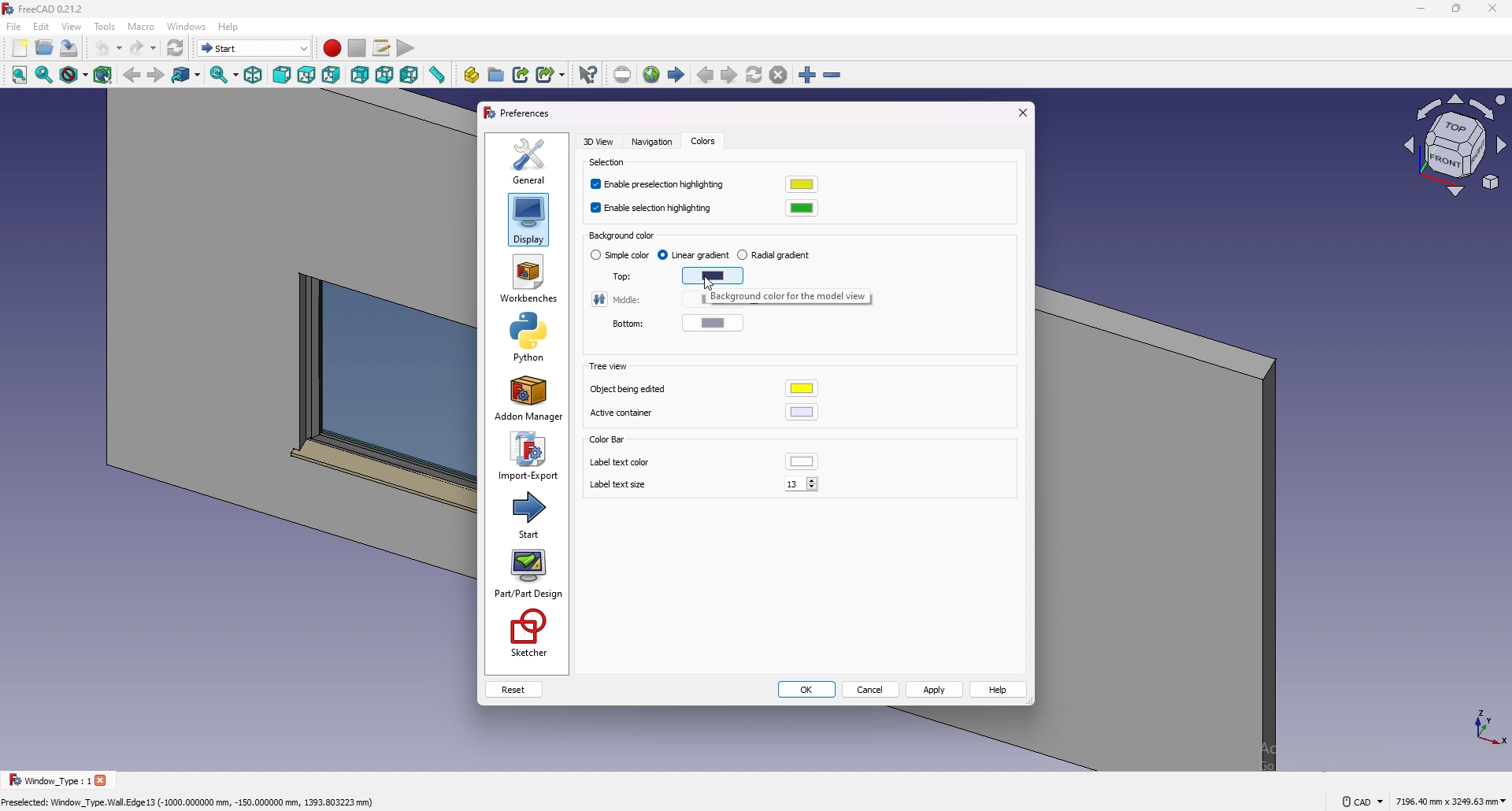 The width and height of the screenshot is (1512, 811). What do you see at coordinates (606, 440) in the screenshot?
I see `color bar` at bounding box center [606, 440].